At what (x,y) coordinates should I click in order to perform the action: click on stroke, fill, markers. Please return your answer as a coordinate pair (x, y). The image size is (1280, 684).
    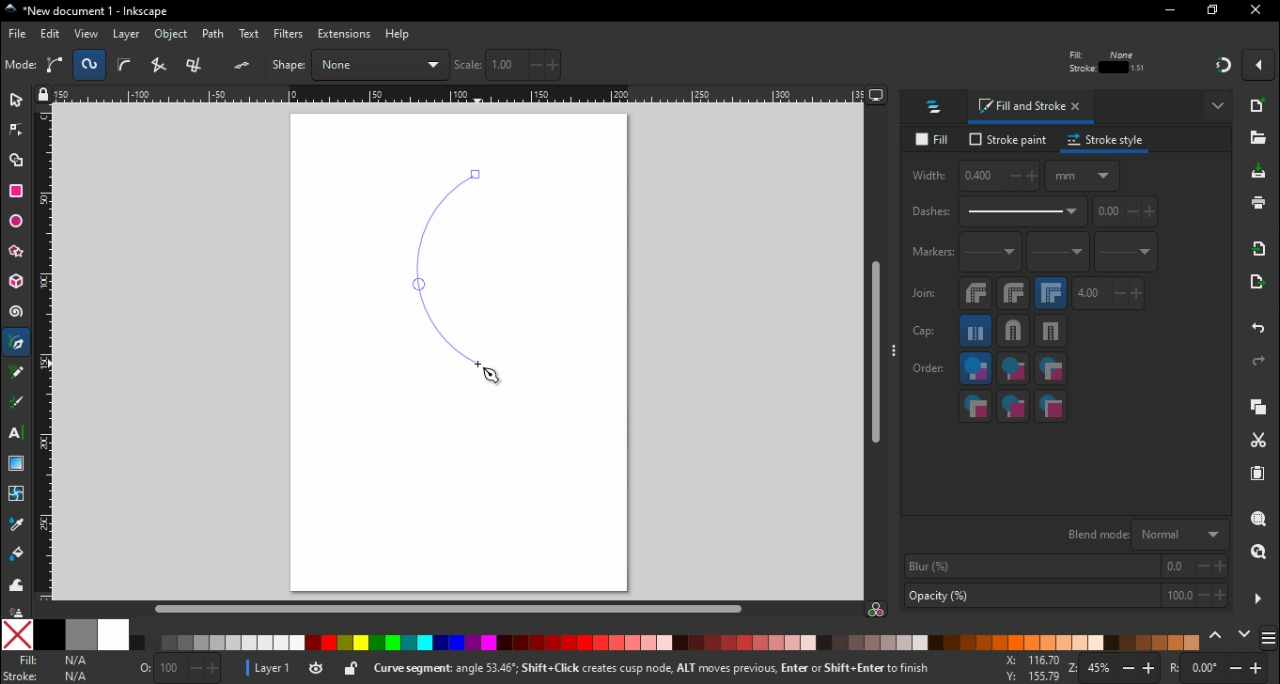
    Looking at the image, I should click on (1013, 372).